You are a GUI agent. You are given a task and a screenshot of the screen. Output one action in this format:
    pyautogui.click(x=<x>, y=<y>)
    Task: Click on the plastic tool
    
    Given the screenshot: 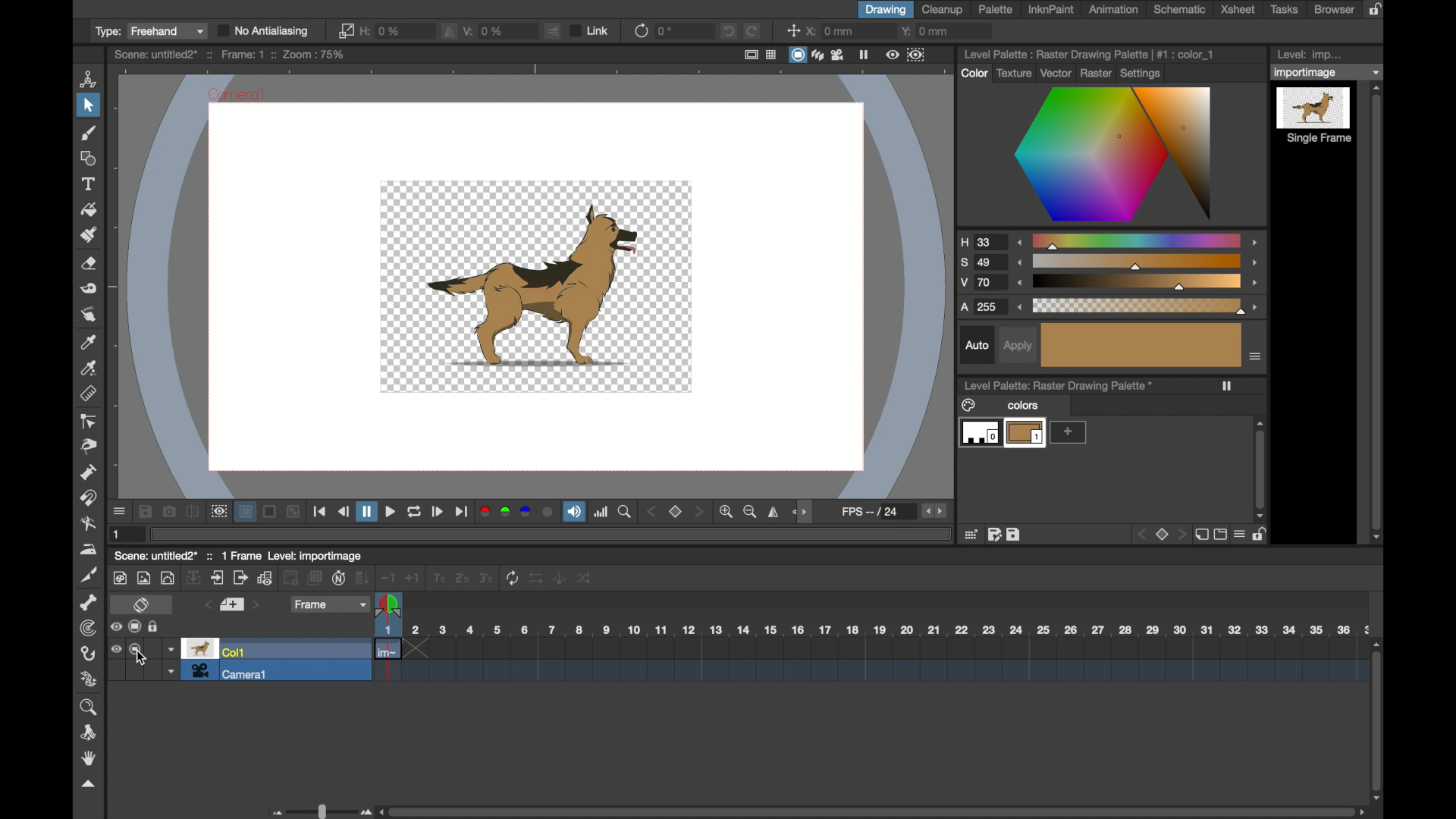 What is the action you would take?
    pyautogui.click(x=89, y=679)
    